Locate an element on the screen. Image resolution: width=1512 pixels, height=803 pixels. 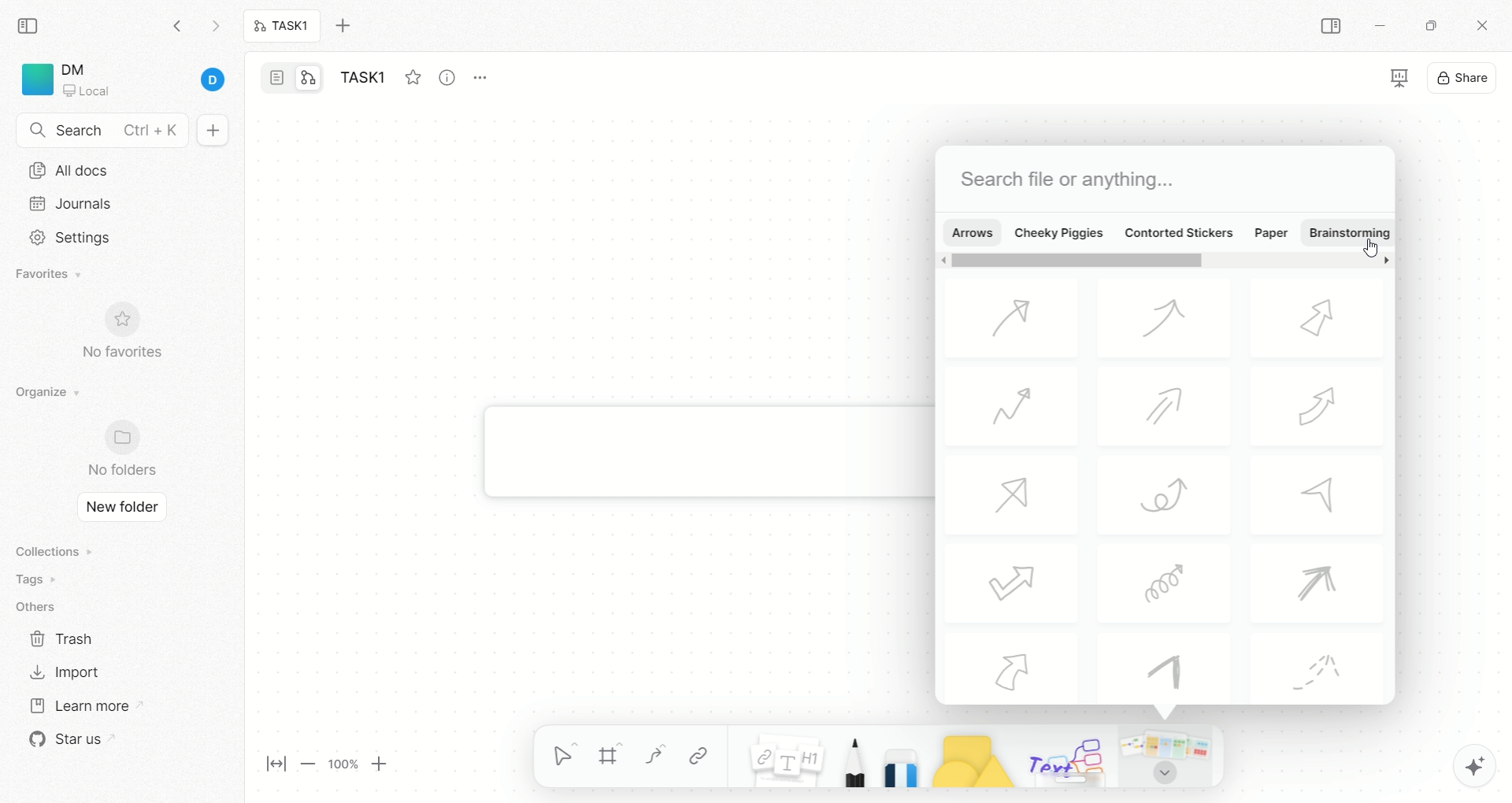
frame is located at coordinates (617, 758).